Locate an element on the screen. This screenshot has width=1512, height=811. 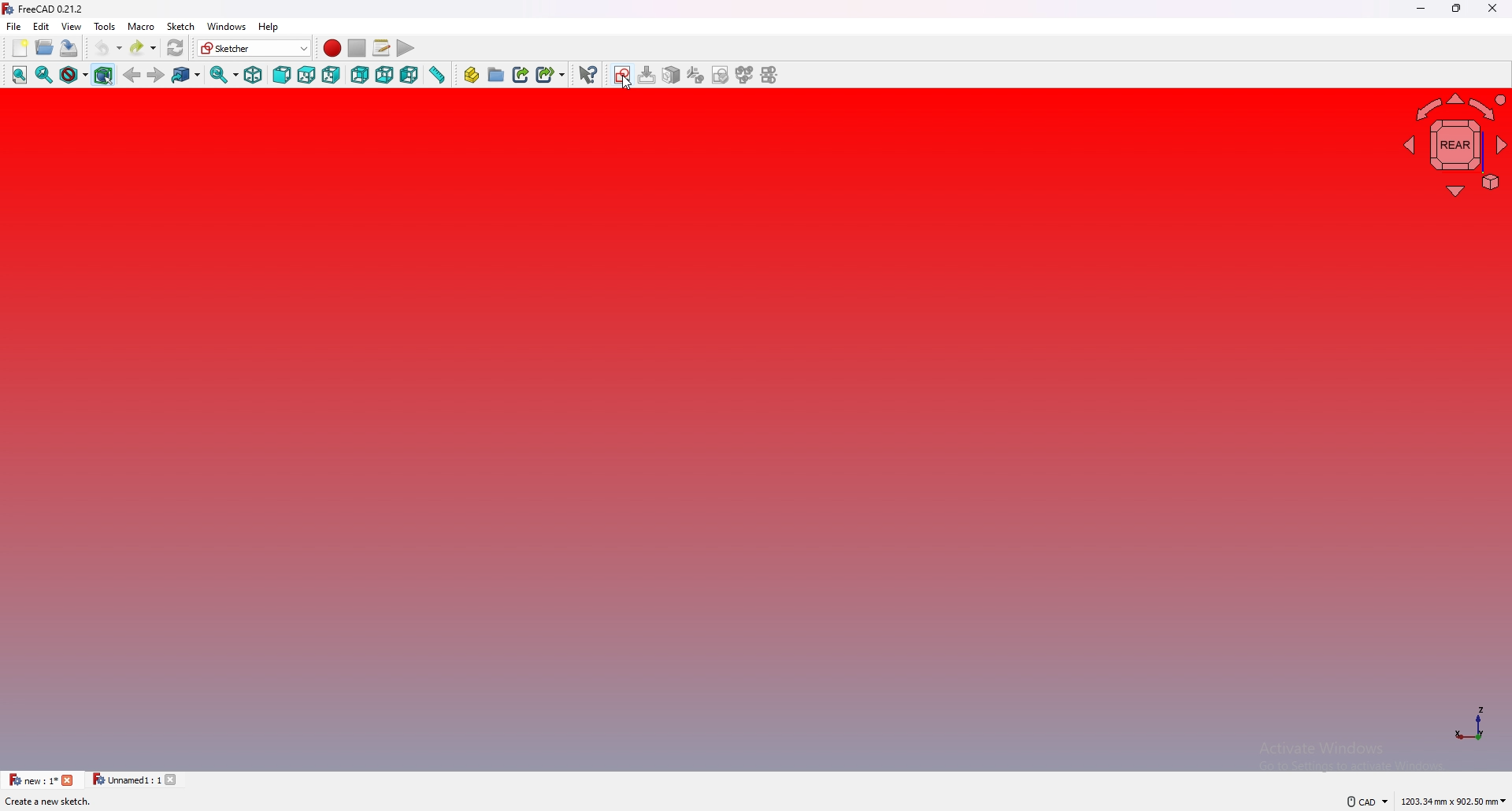
download is located at coordinates (649, 75).